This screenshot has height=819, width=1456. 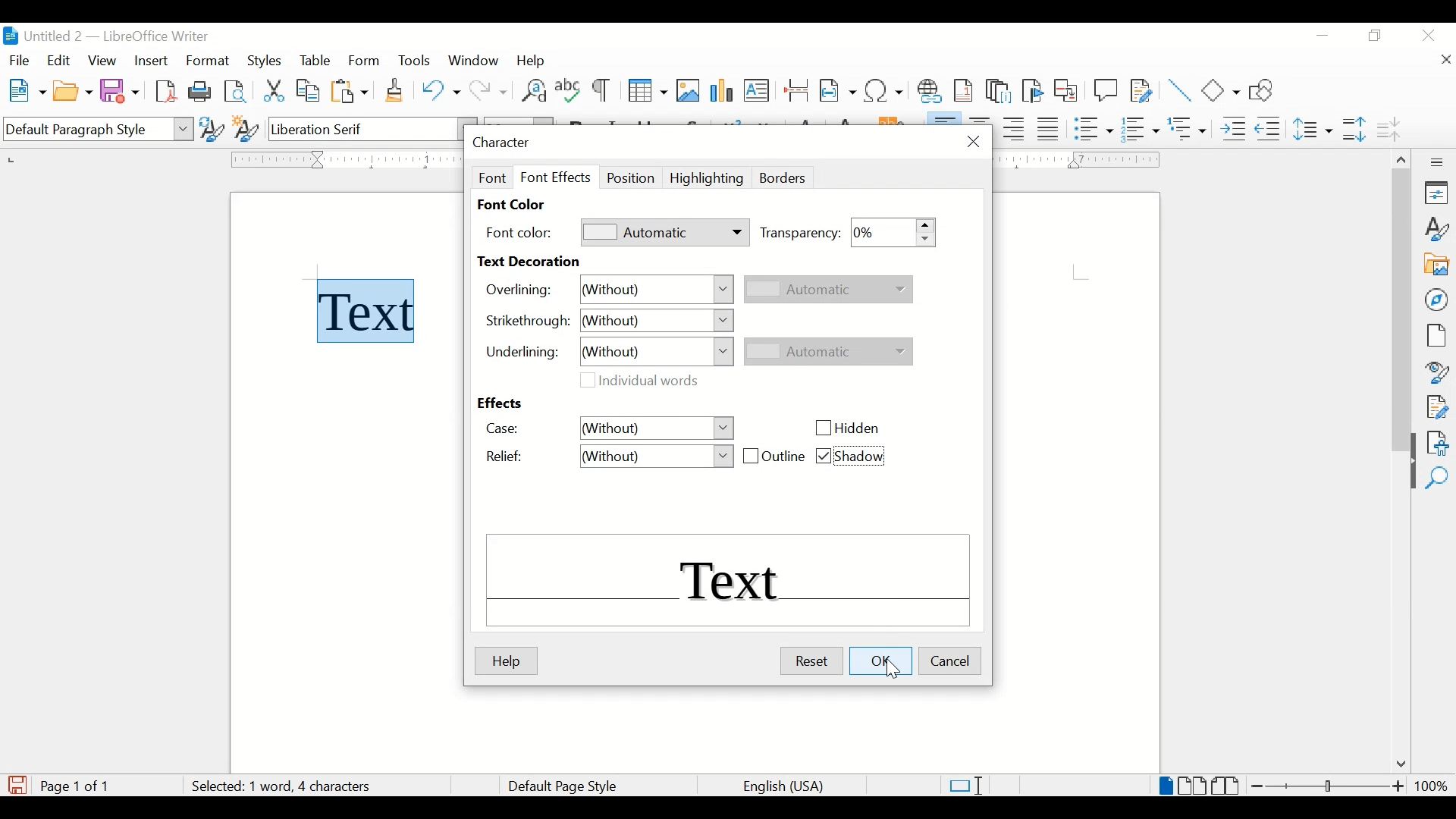 I want to click on insert image, so click(x=689, y=90).